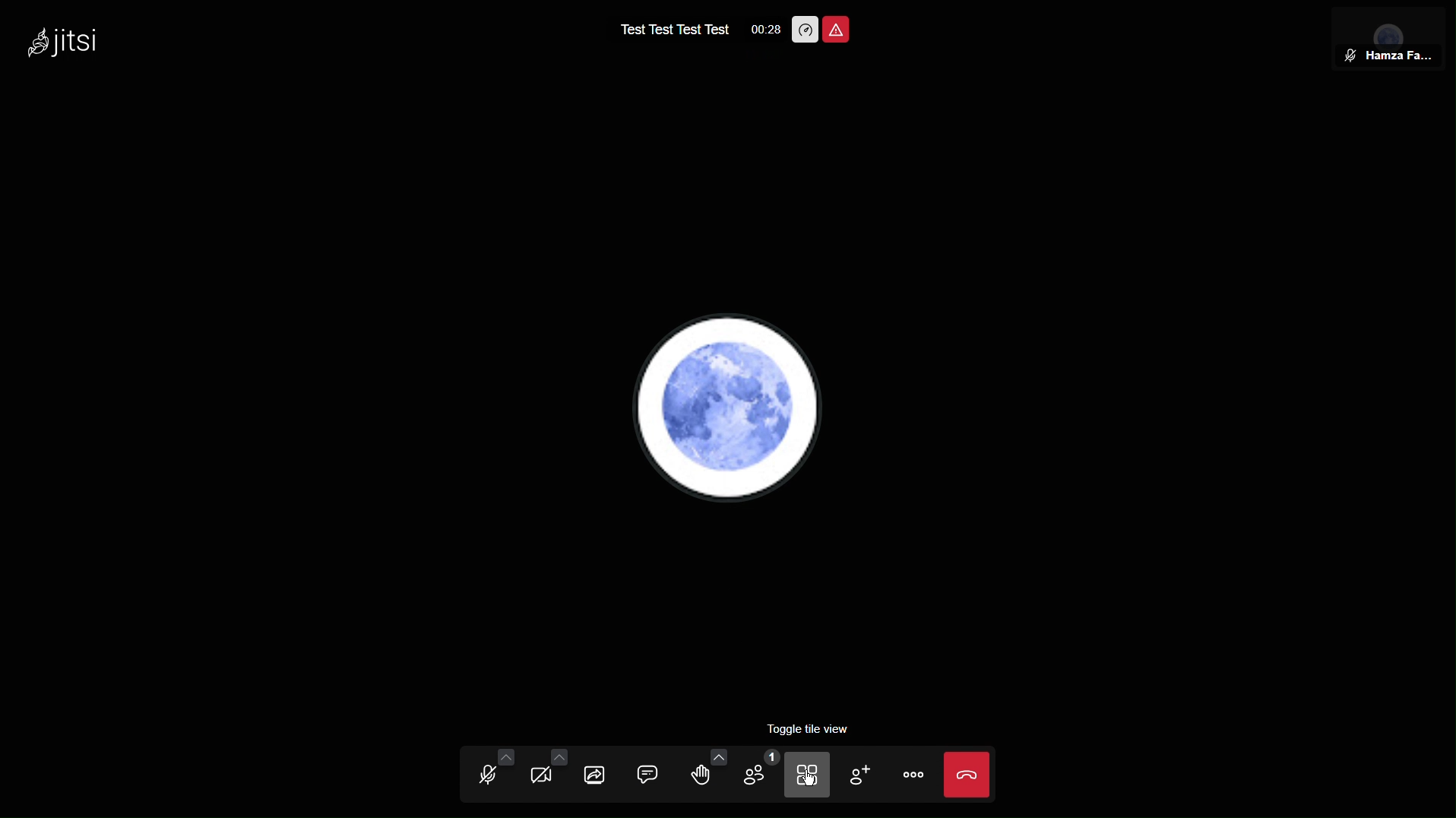 The image size is (1456, 818). Describe the element at coordinates (597, 775) in the screenshot. I see `Share Screen` at that location.